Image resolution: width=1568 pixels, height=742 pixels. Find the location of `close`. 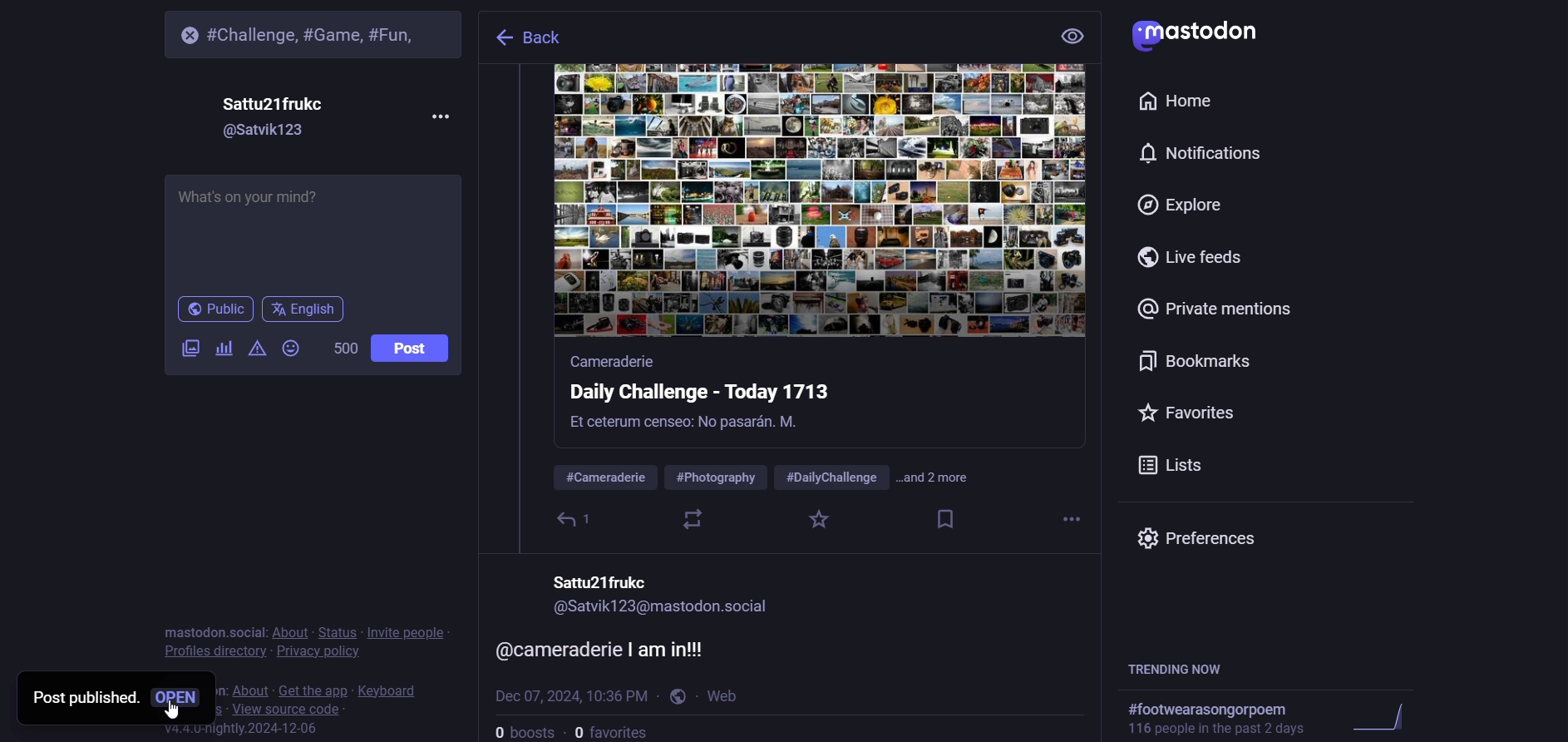

close is located at coordinates (181, 33).